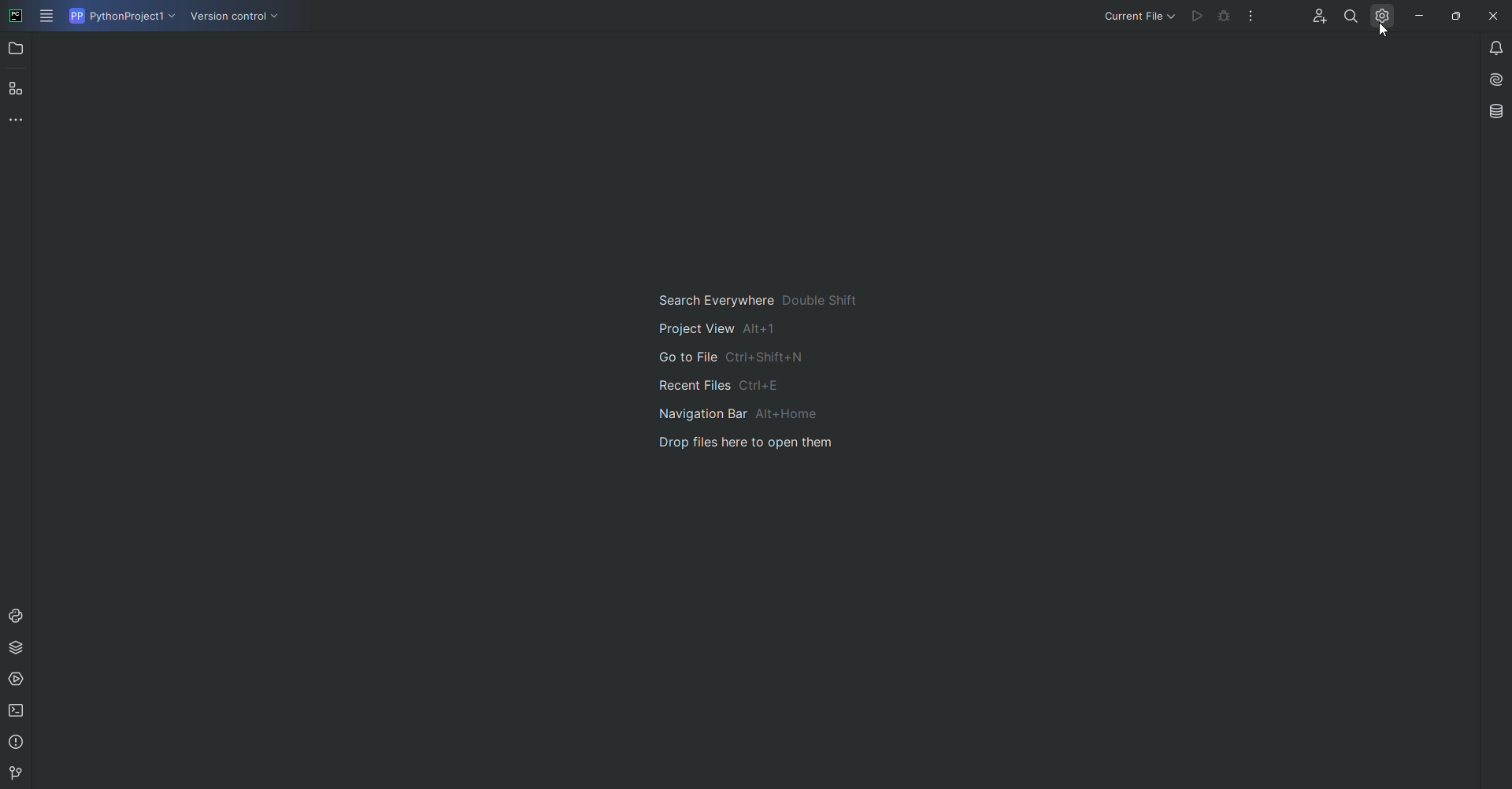 The width and height of the screenshot is (1512, 789). What do you see at coordinates (120, 17) in the screenshot?
I see `Python project` at bounding box center [120, 17].